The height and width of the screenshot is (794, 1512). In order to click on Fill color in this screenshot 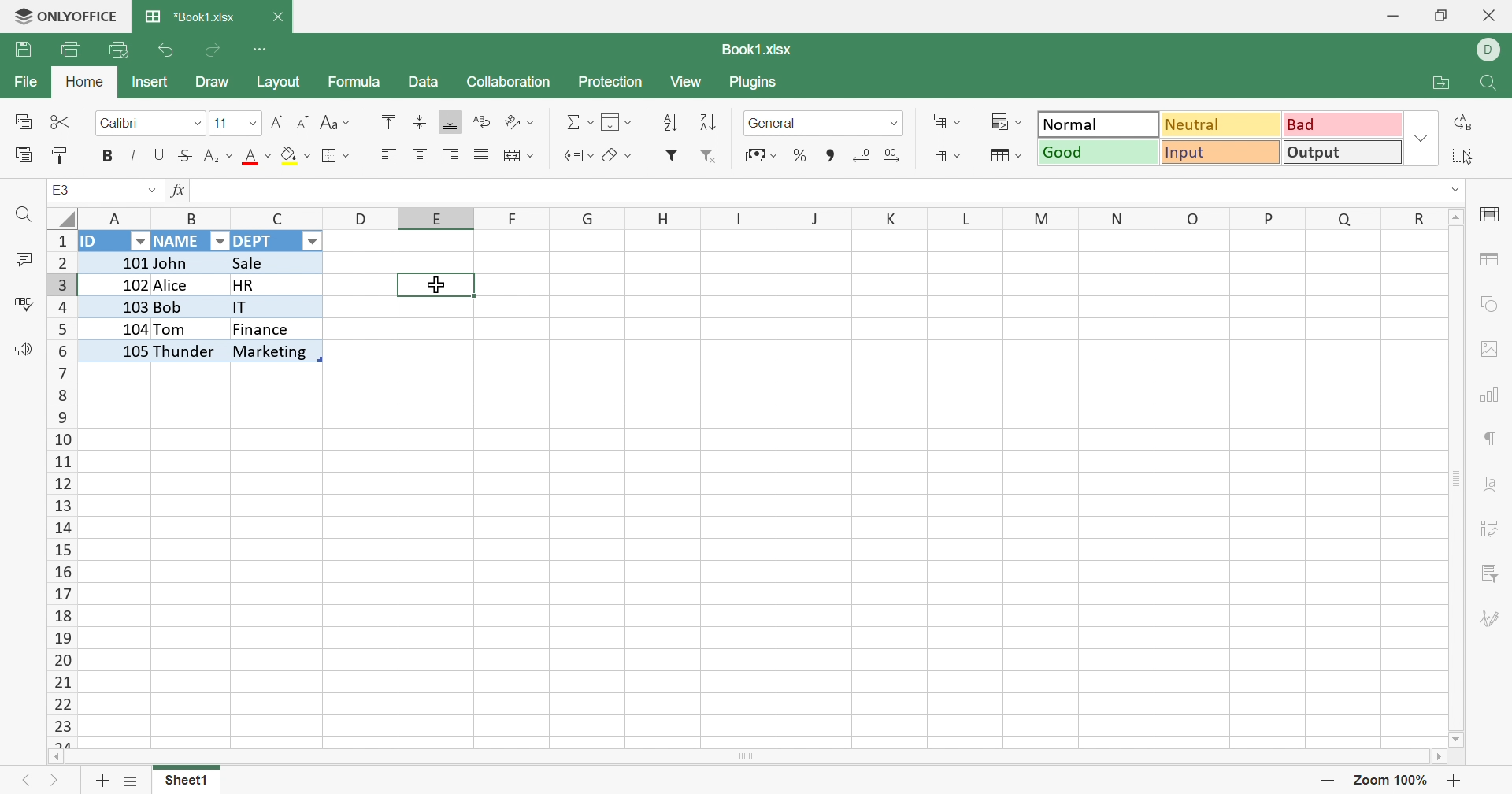, I will do `click(296, 155)`.